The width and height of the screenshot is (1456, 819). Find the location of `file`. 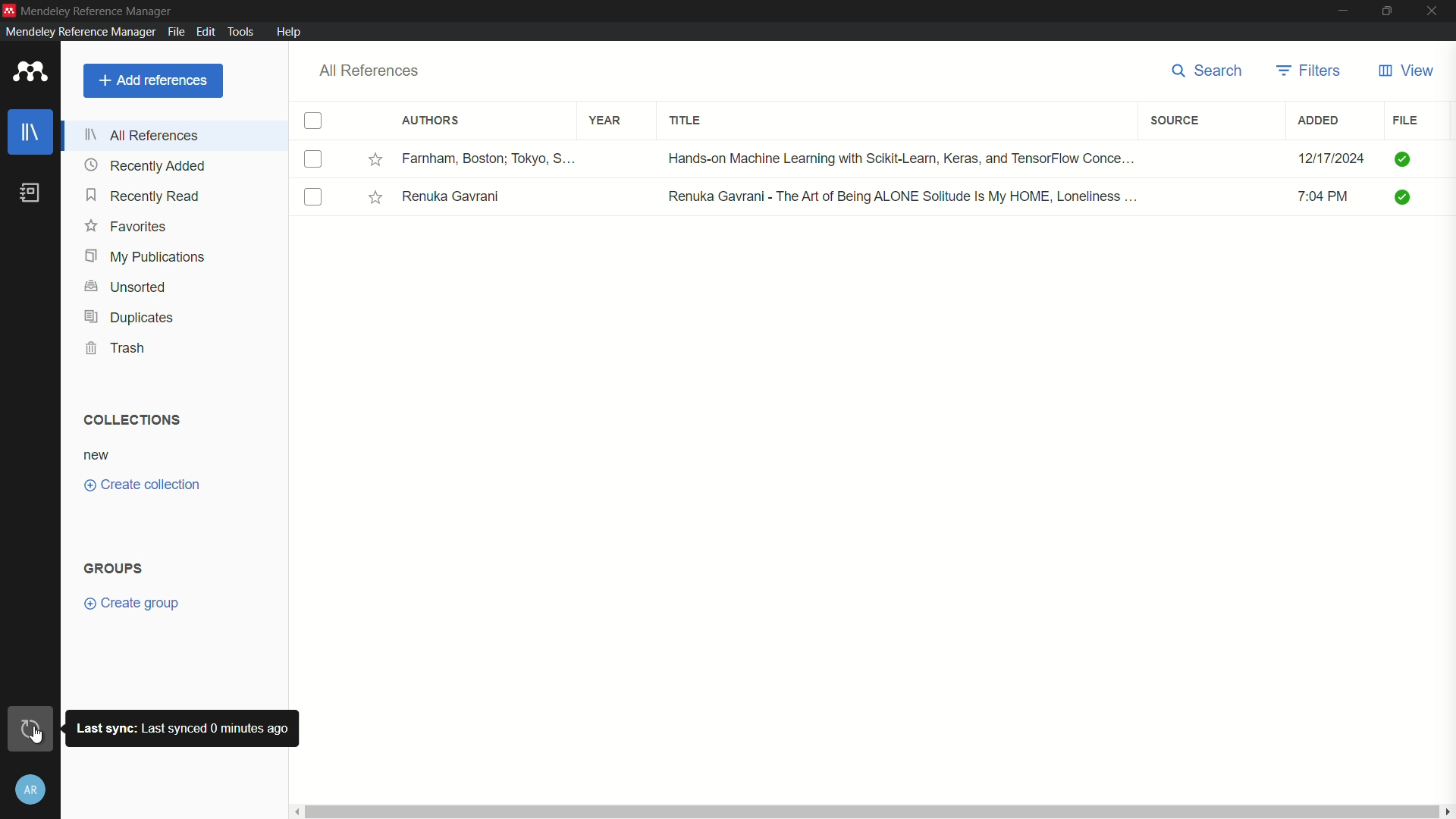

file is located at coordinates (1405, 121).